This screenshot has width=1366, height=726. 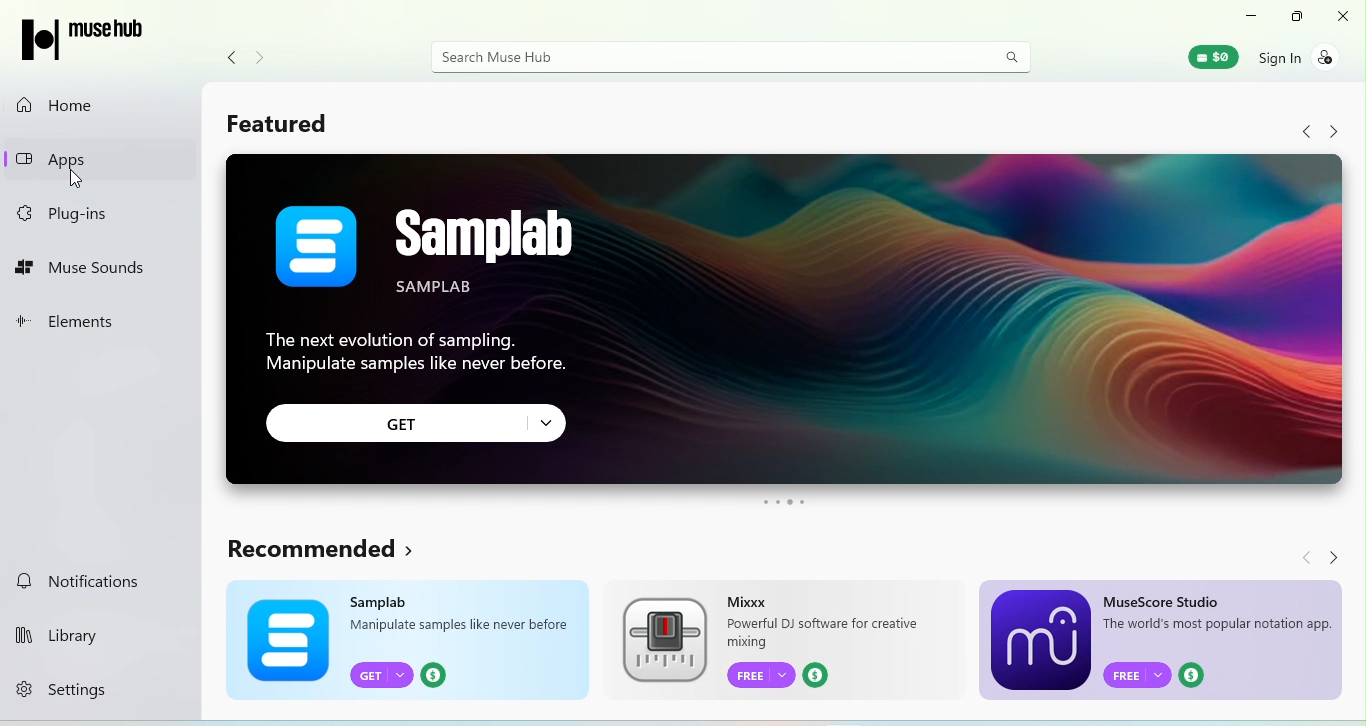 I want to click on Muse sounds tab, so click(x=83, y=269).